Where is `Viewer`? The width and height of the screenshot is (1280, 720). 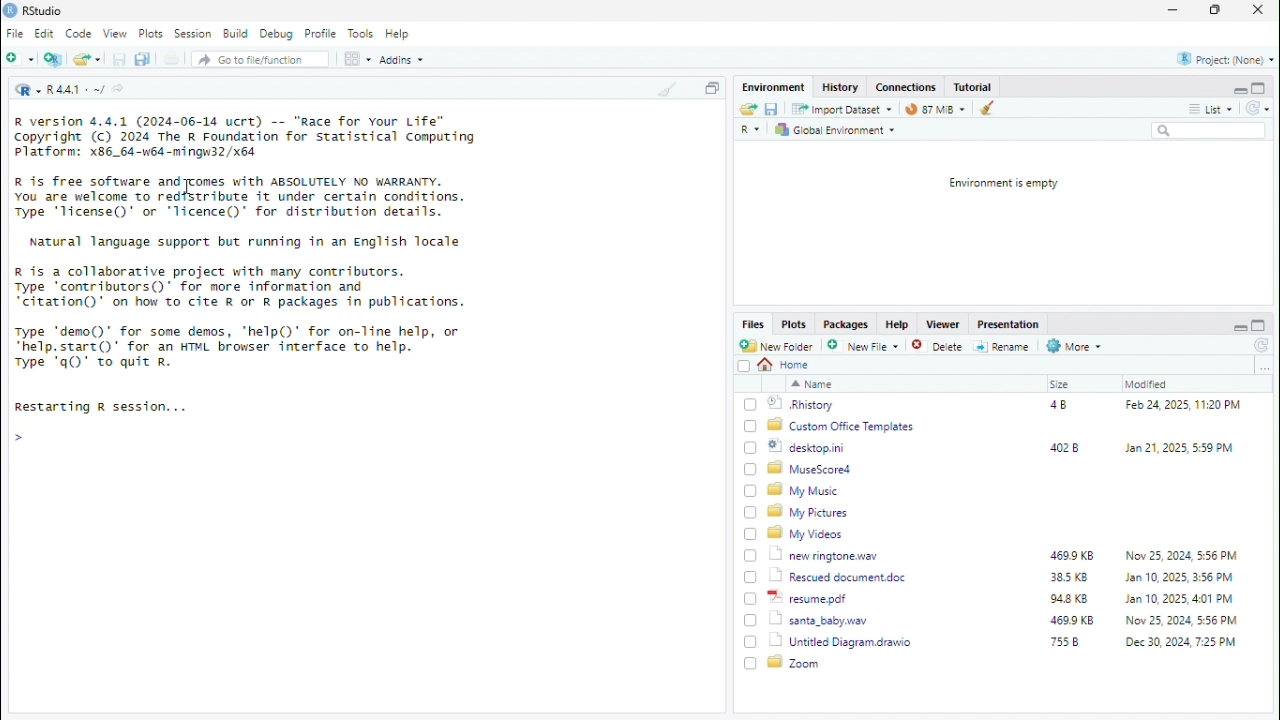
Viewer is located at coordinates (944, 323).